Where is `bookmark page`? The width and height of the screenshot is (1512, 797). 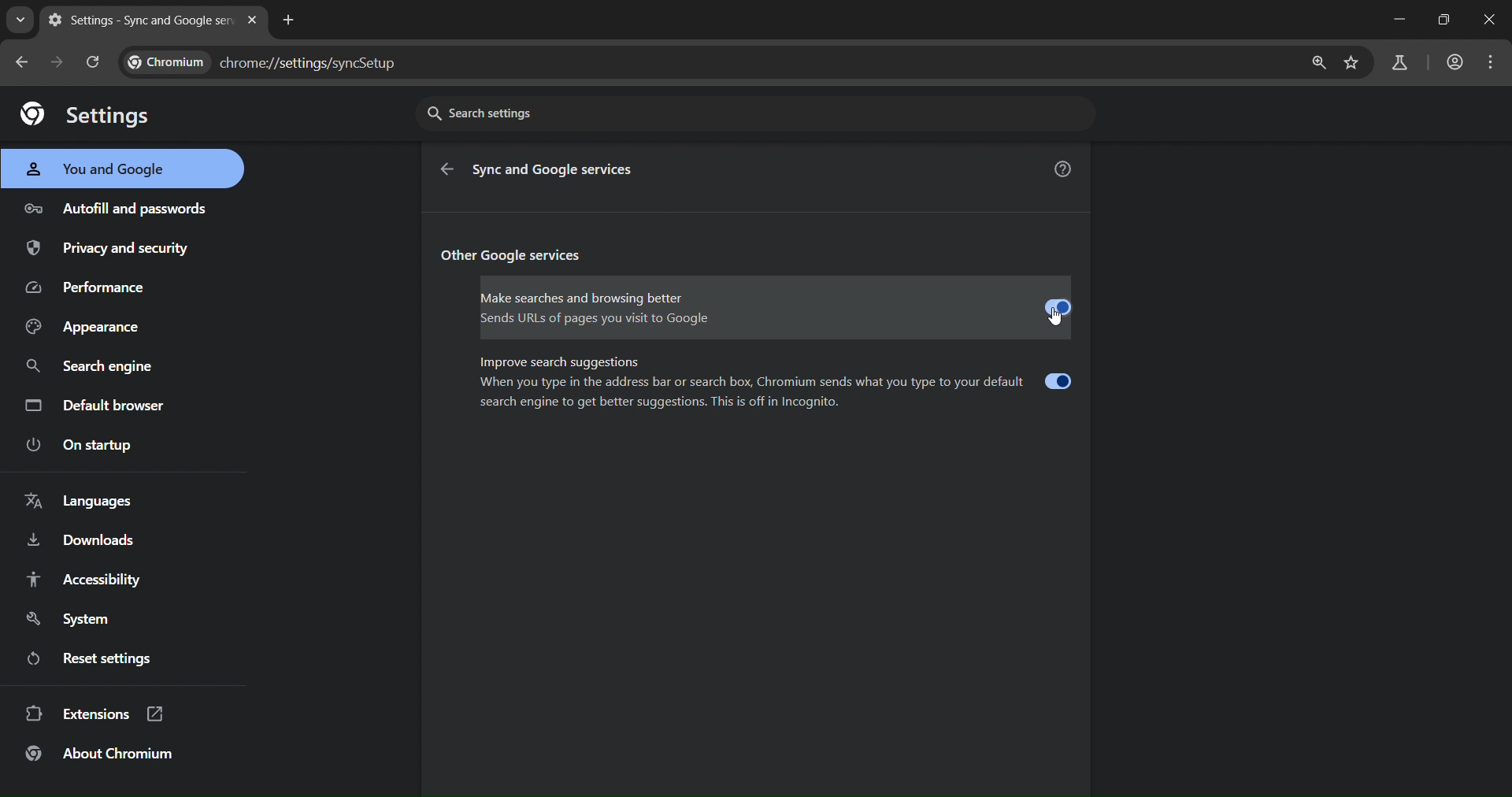
bookmark page is located at coordinates (1351, 66).